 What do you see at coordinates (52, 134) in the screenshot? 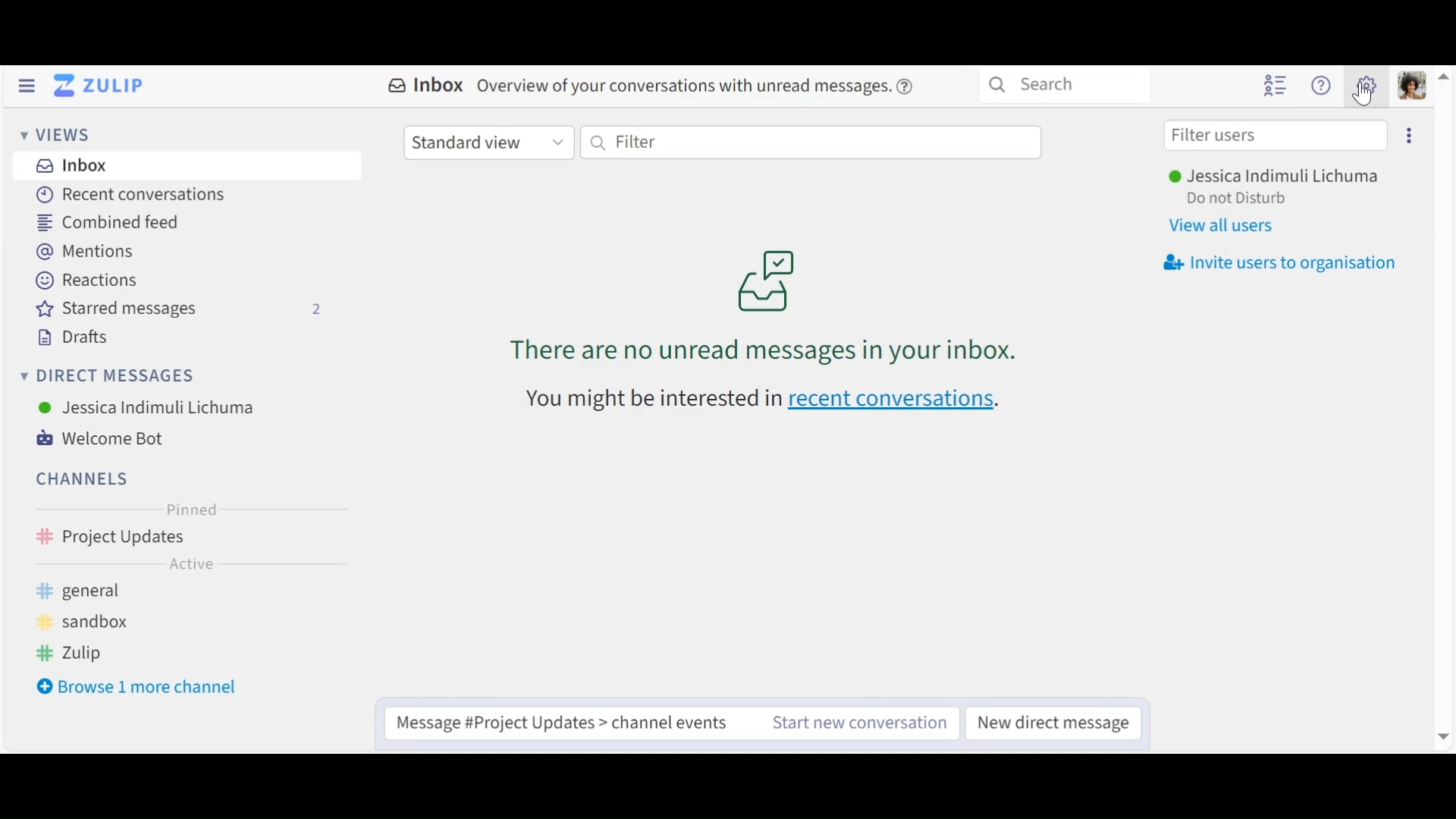
I see `Views` at bounding box center [52, 134].